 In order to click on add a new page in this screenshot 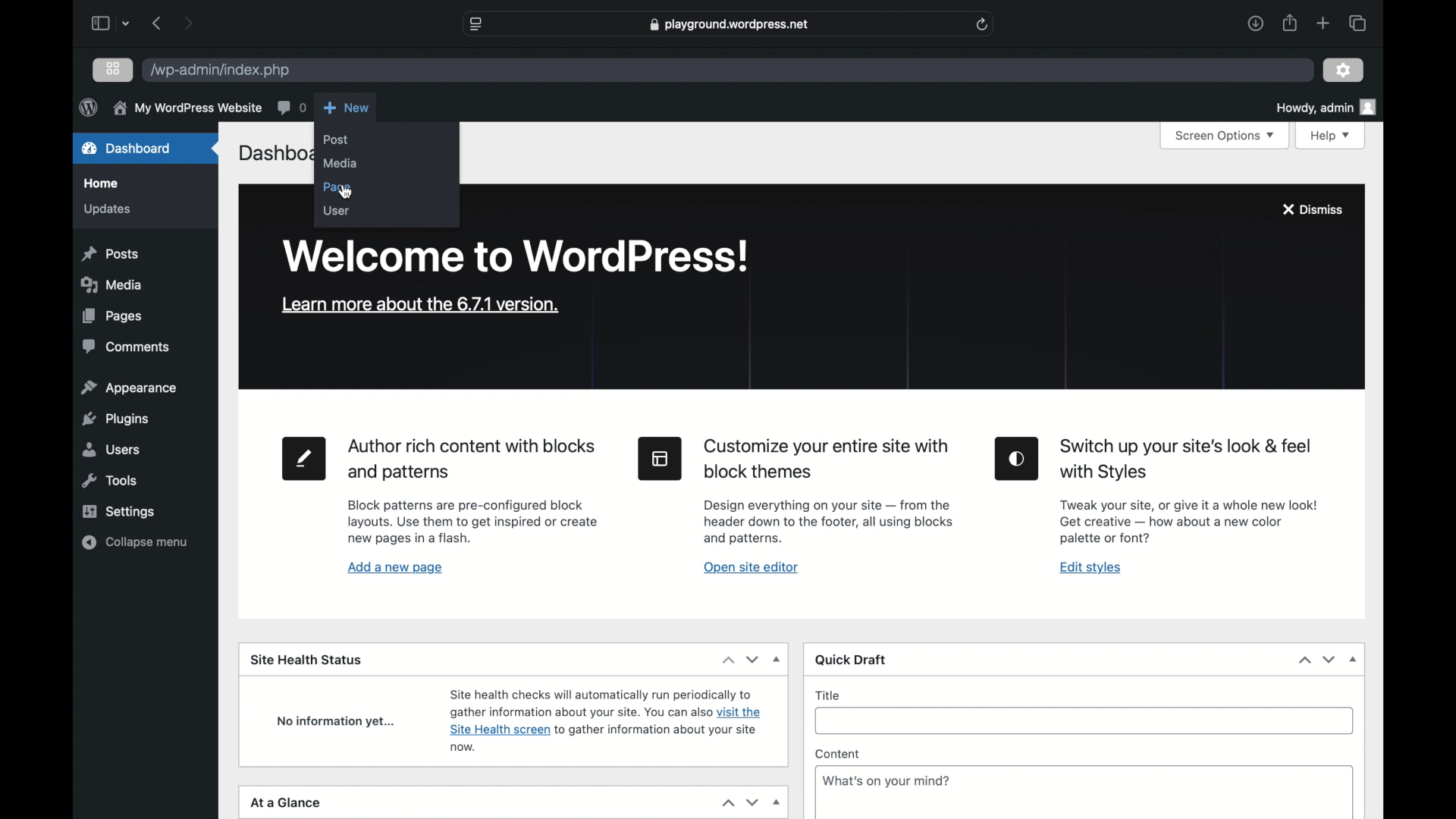, I will do `click(395, 569)`.